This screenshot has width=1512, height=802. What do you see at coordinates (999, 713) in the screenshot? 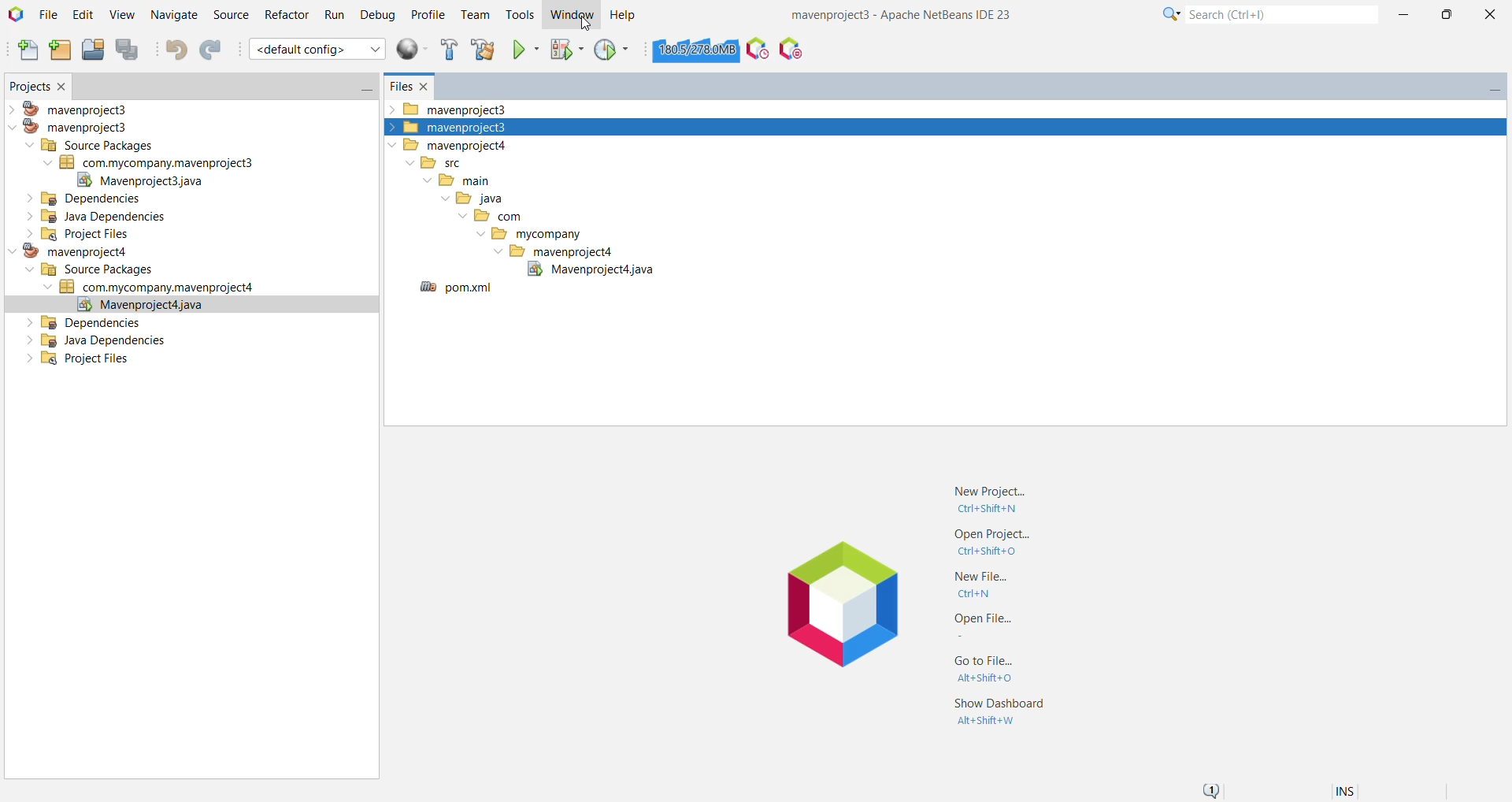
I see `Show Dashboard` at bounding box center [999, 713].